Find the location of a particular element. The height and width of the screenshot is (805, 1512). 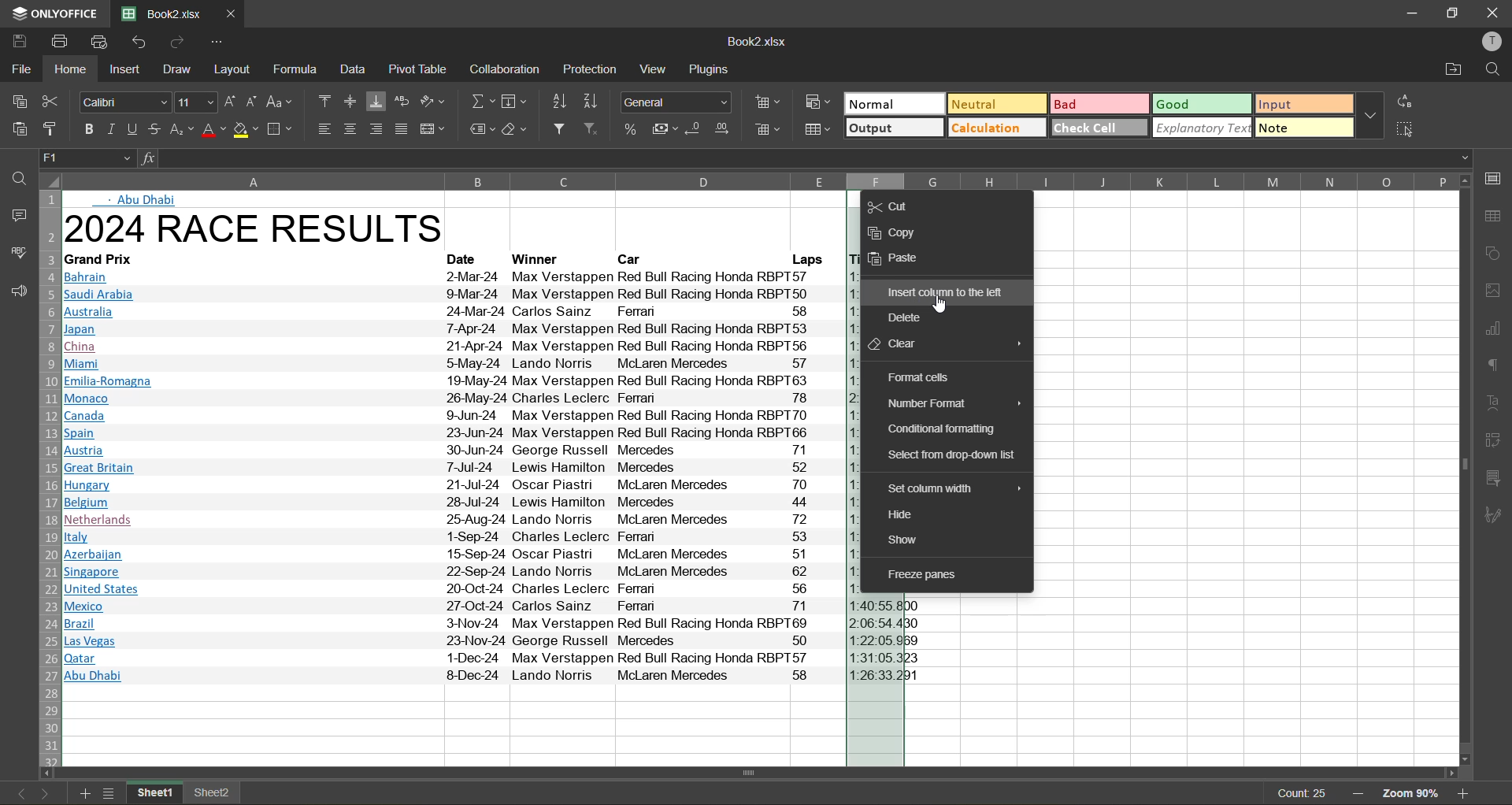

delete is located at coordinates (913, 320).